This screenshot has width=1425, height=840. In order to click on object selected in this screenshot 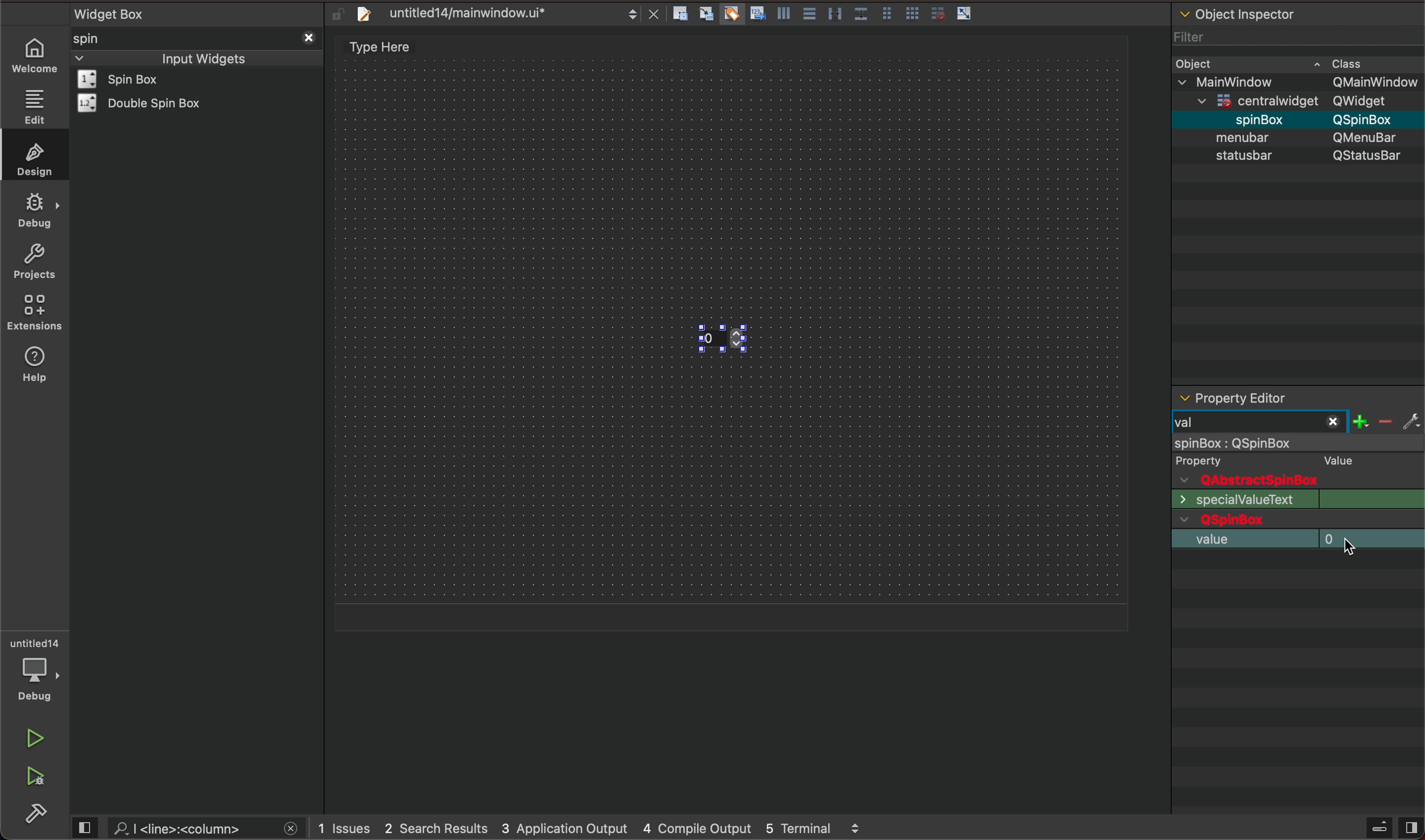, I will do `click(1296, 444)`.